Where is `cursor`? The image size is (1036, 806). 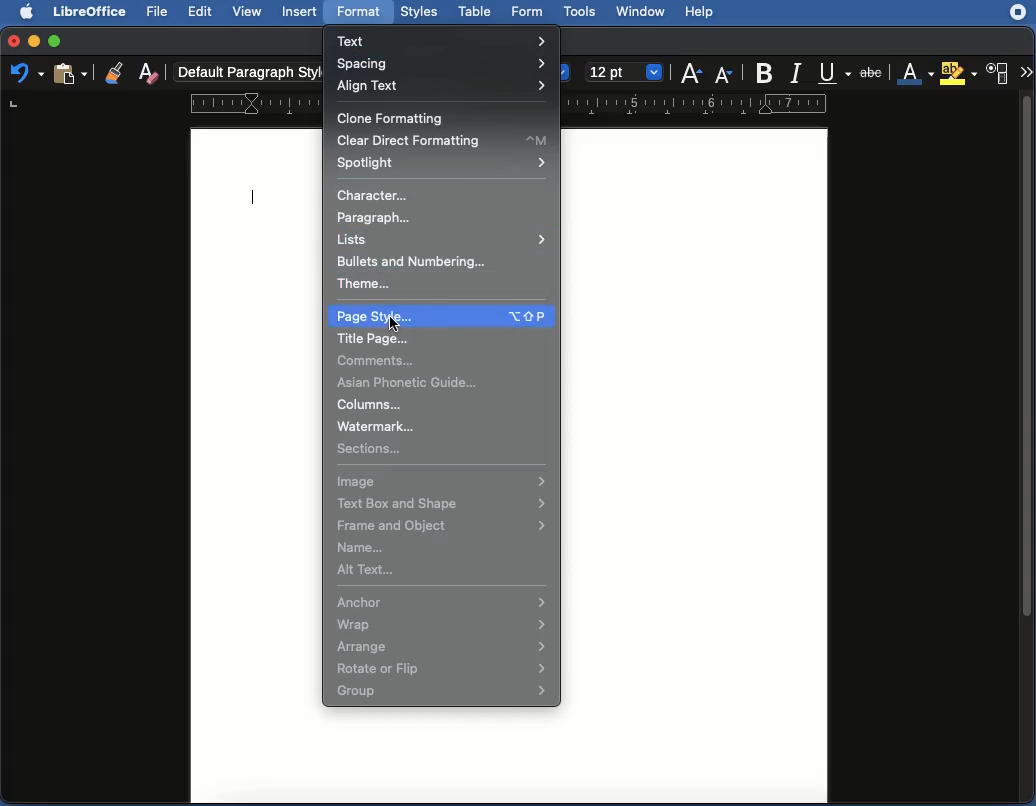
cursor is located at coordinates (396, 324).